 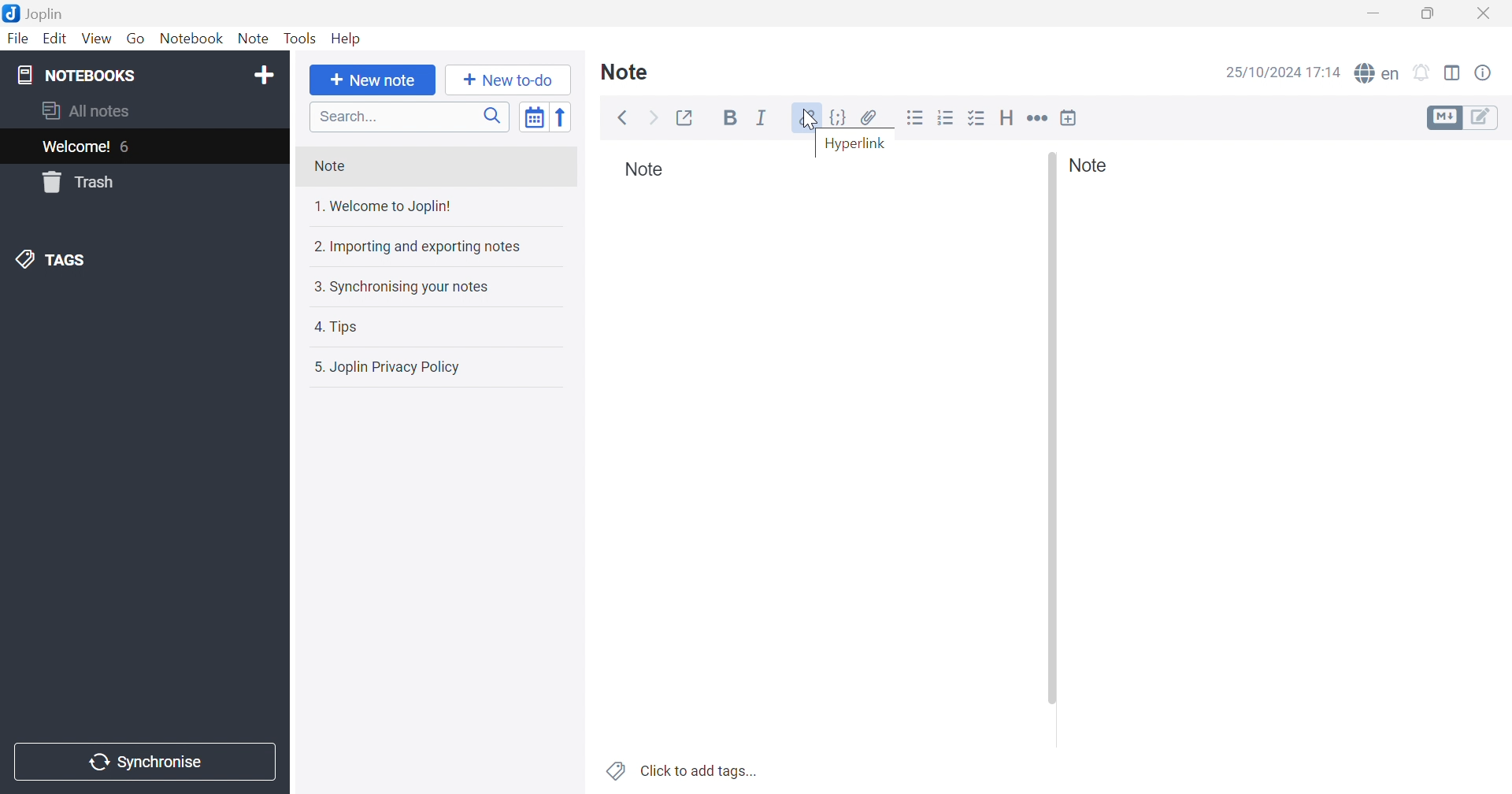 What do you see at coordinates (1261, 73) in the screenshot?
I see `25/10/2024` at bounding box center [1261, 73].